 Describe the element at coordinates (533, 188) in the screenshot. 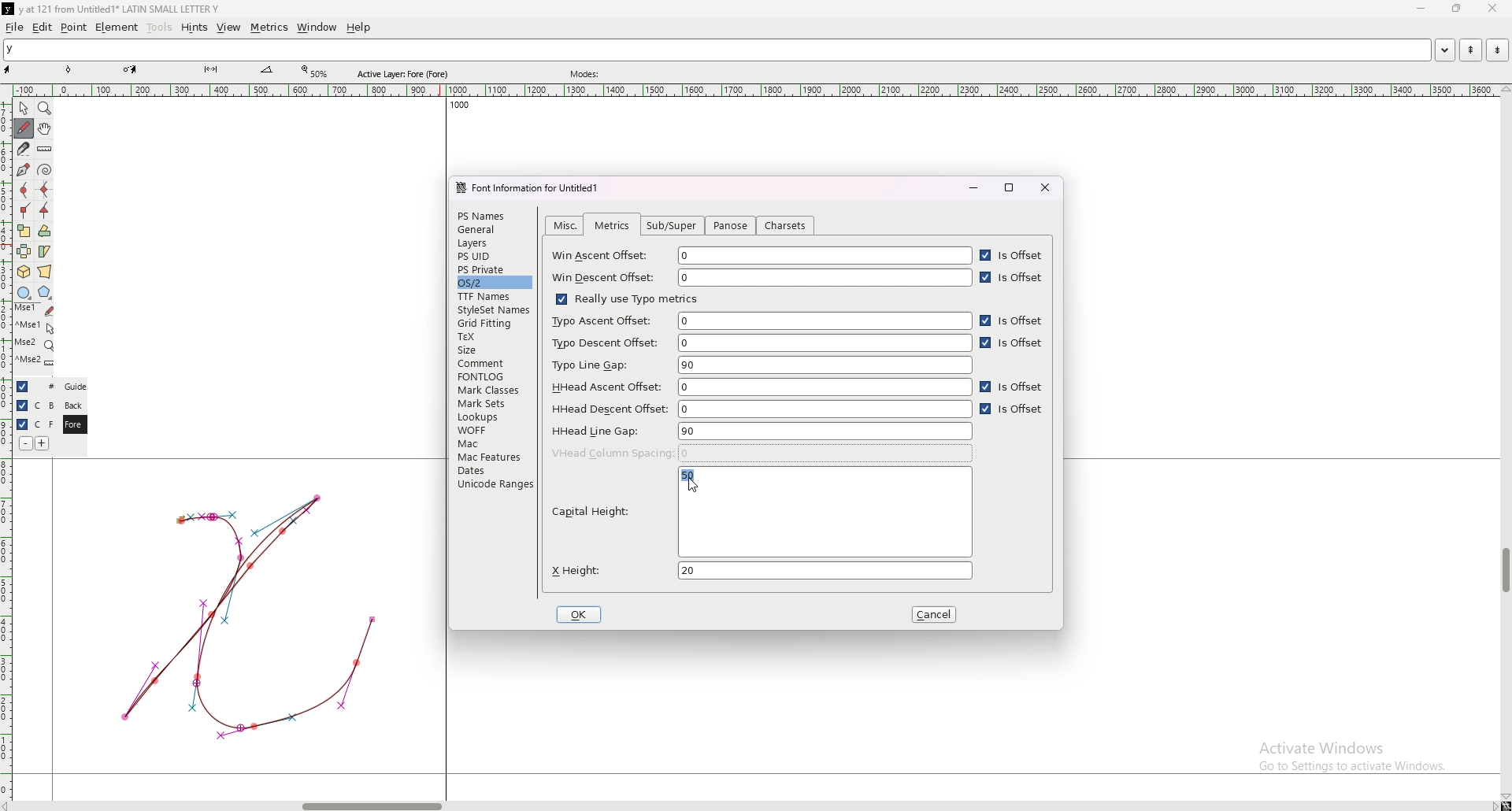

I see `font information for untitled1` at that location.